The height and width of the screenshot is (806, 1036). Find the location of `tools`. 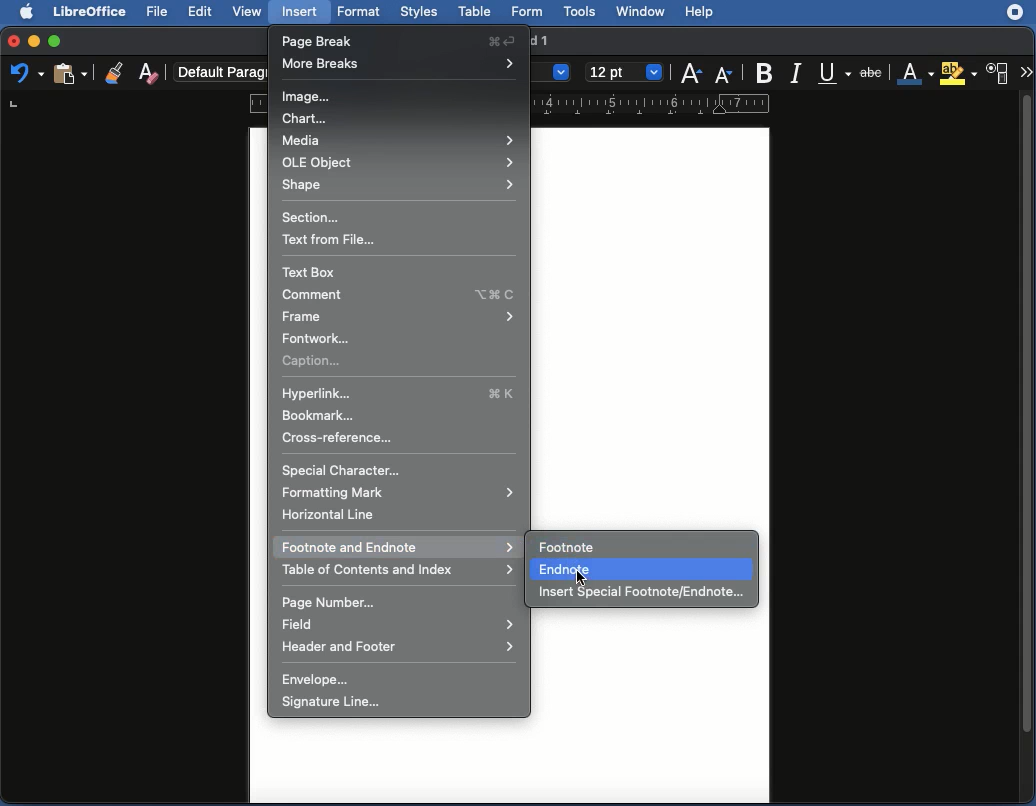

tools is located at coordinates (580, 11).